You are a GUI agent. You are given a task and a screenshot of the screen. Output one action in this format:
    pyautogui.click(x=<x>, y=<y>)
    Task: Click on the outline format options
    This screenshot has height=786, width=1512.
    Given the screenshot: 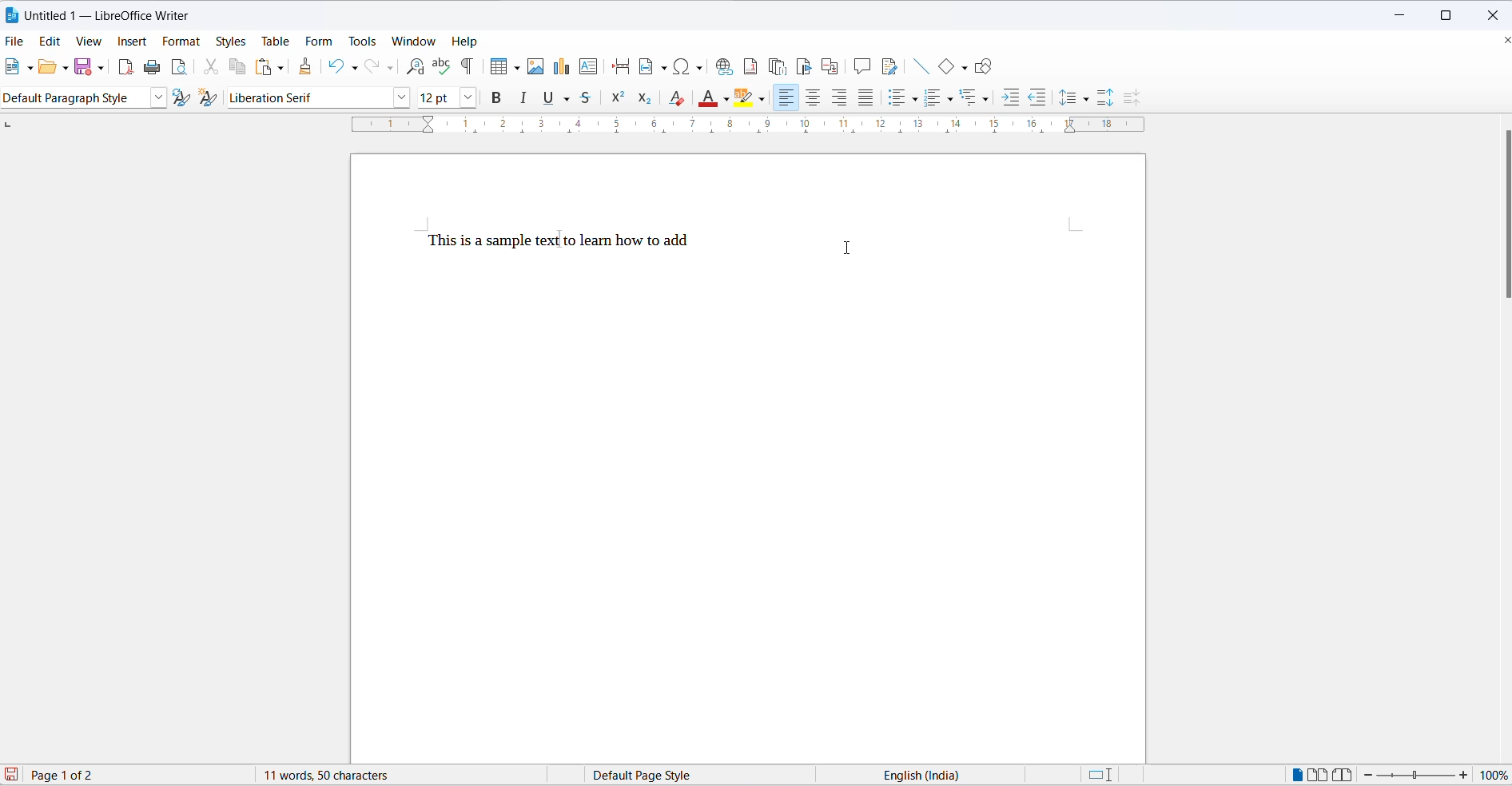 What is the action you would take?
    pyautogui.click(x=987, y=99)
    